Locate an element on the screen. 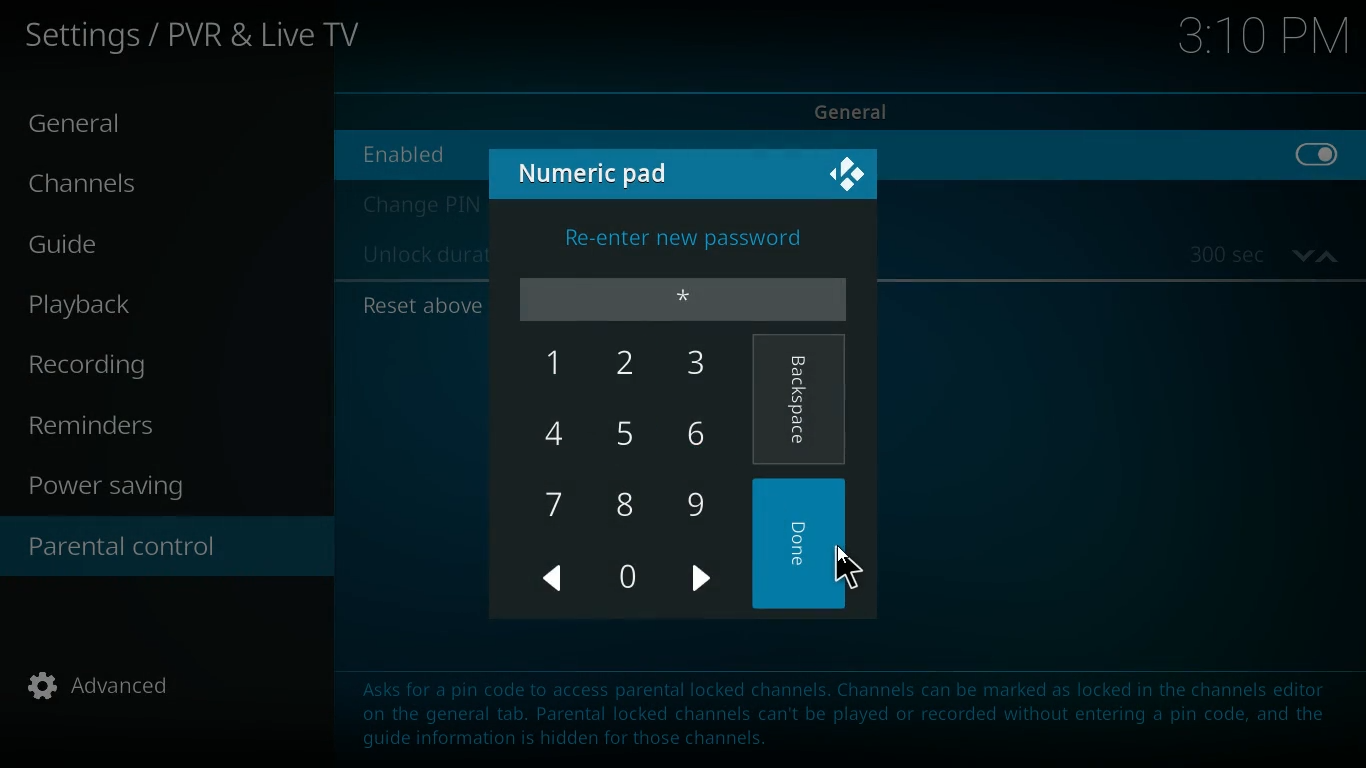  off is located at coordinates (1318, 166).